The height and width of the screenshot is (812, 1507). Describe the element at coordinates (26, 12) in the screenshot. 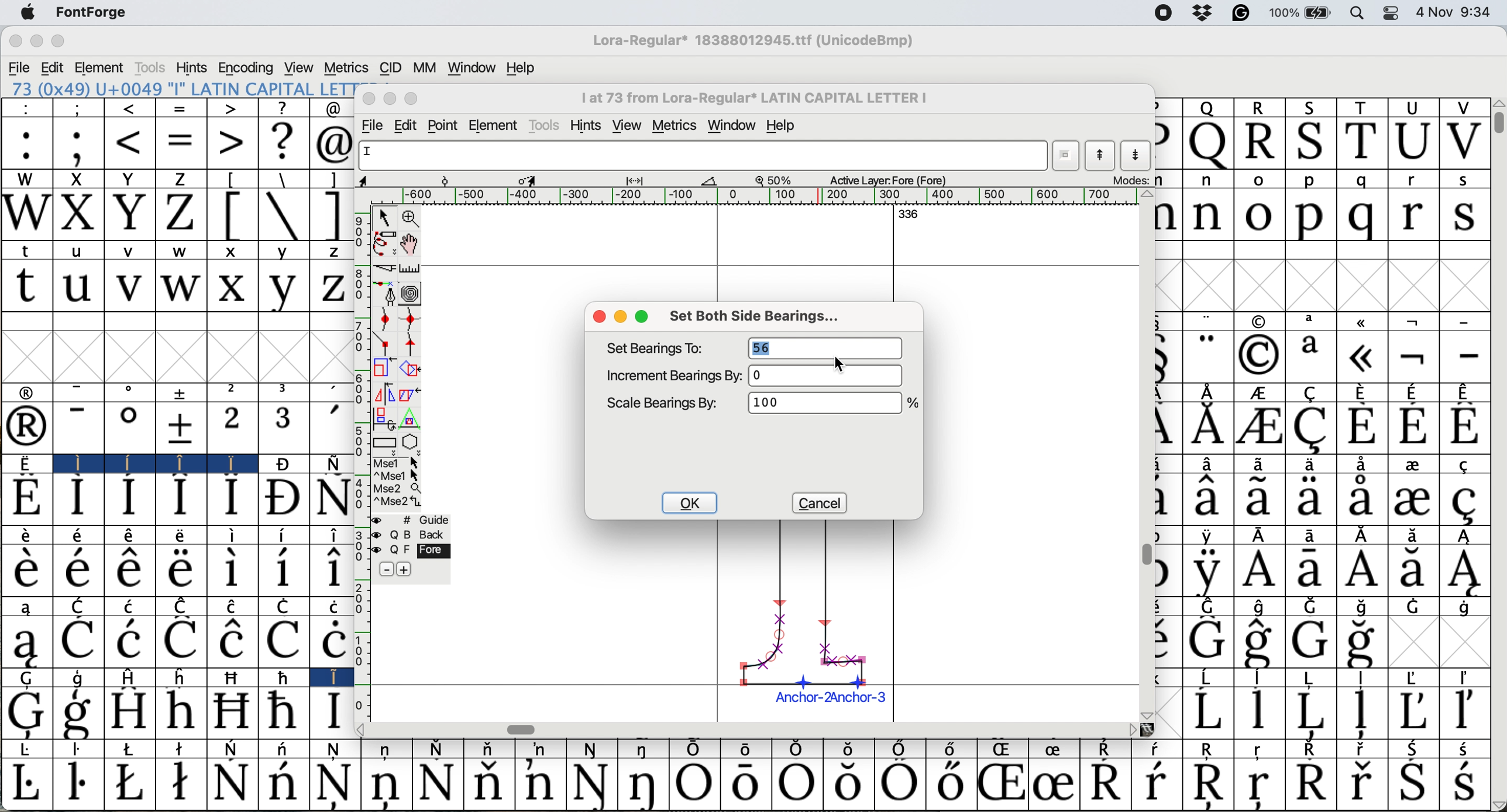

I see `system logo` at that location.